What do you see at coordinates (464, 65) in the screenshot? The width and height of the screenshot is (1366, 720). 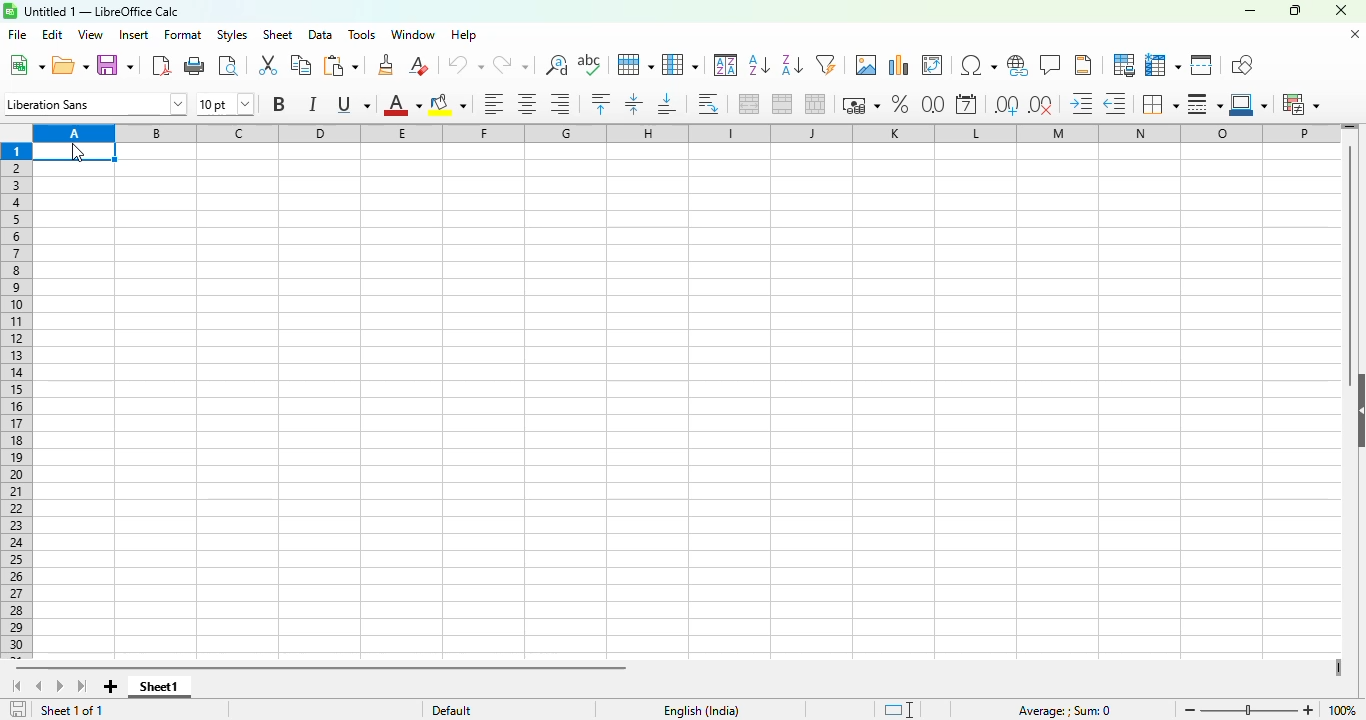 I see `undo` at bounding box center [464, 65].